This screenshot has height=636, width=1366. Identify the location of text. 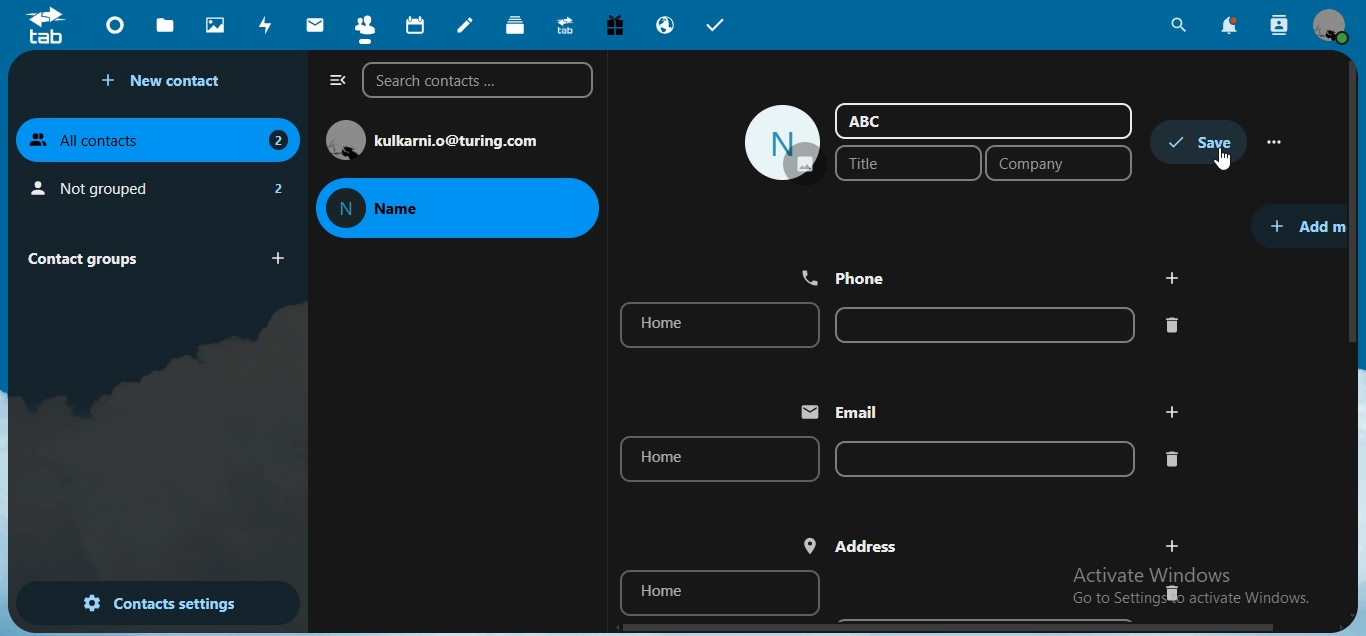
(462, 140).